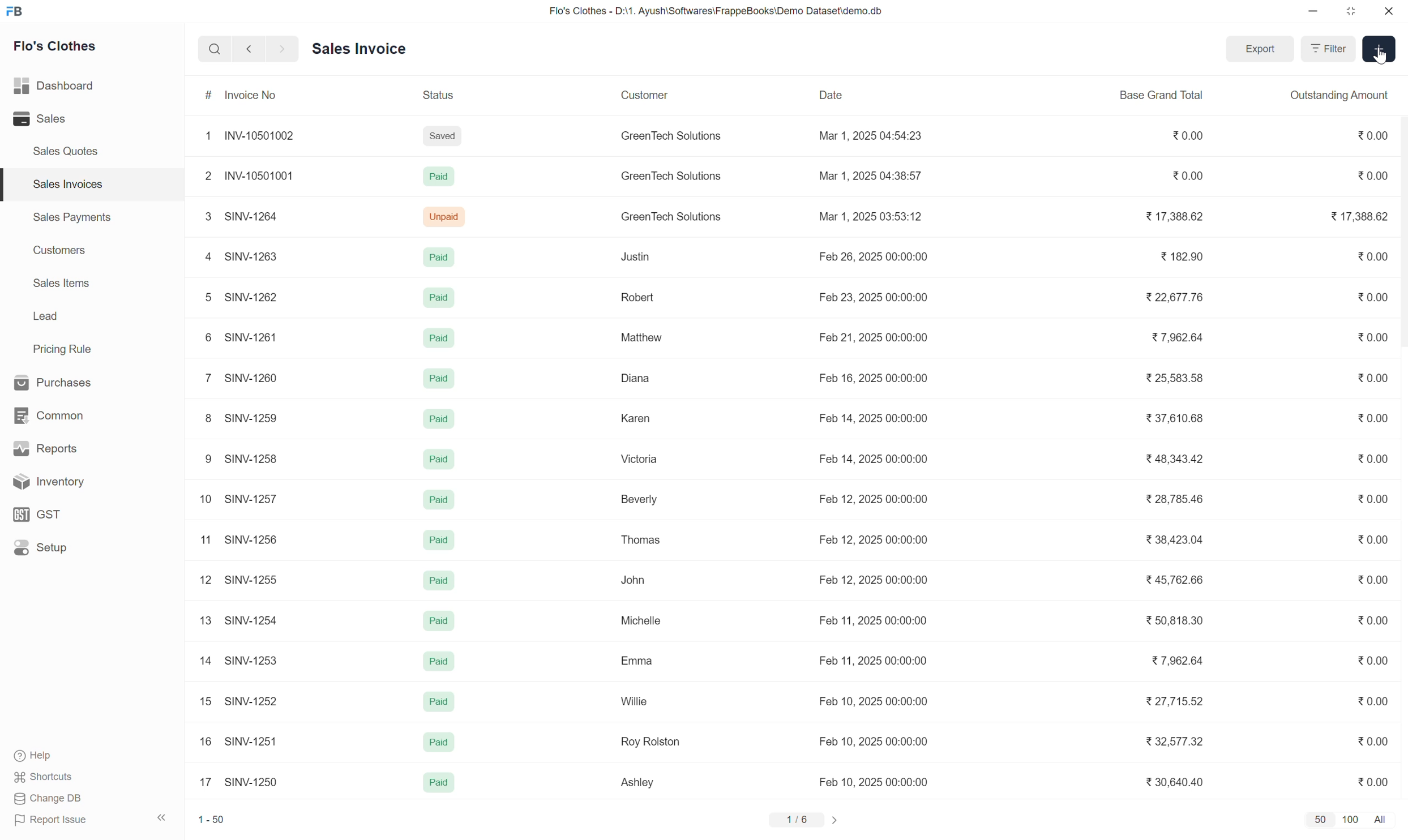  What do you see at coordinates (1352, 818) in the screenshot?
I see `go to 100 page` at bounding box center [1352, 818].